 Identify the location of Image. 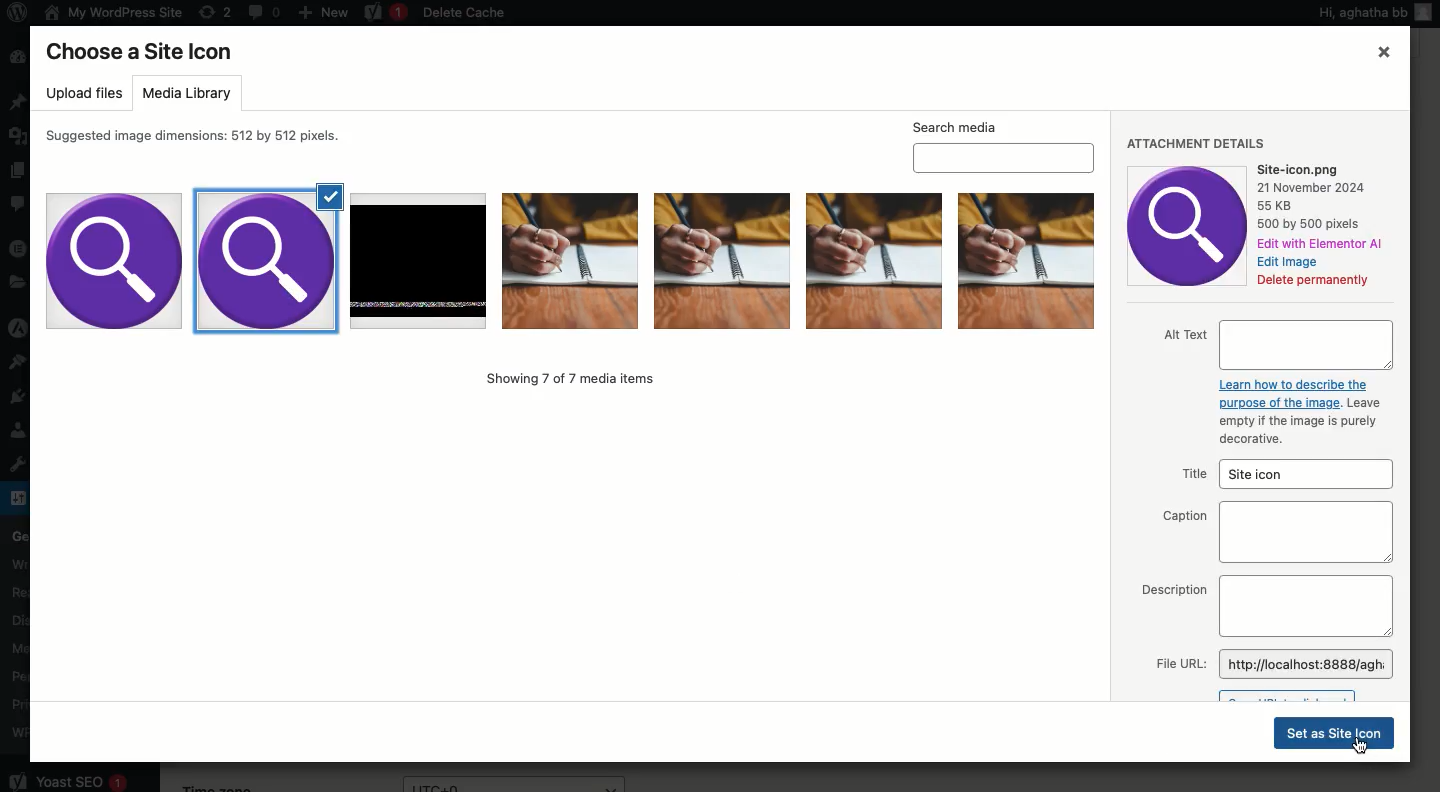
(719, 260).